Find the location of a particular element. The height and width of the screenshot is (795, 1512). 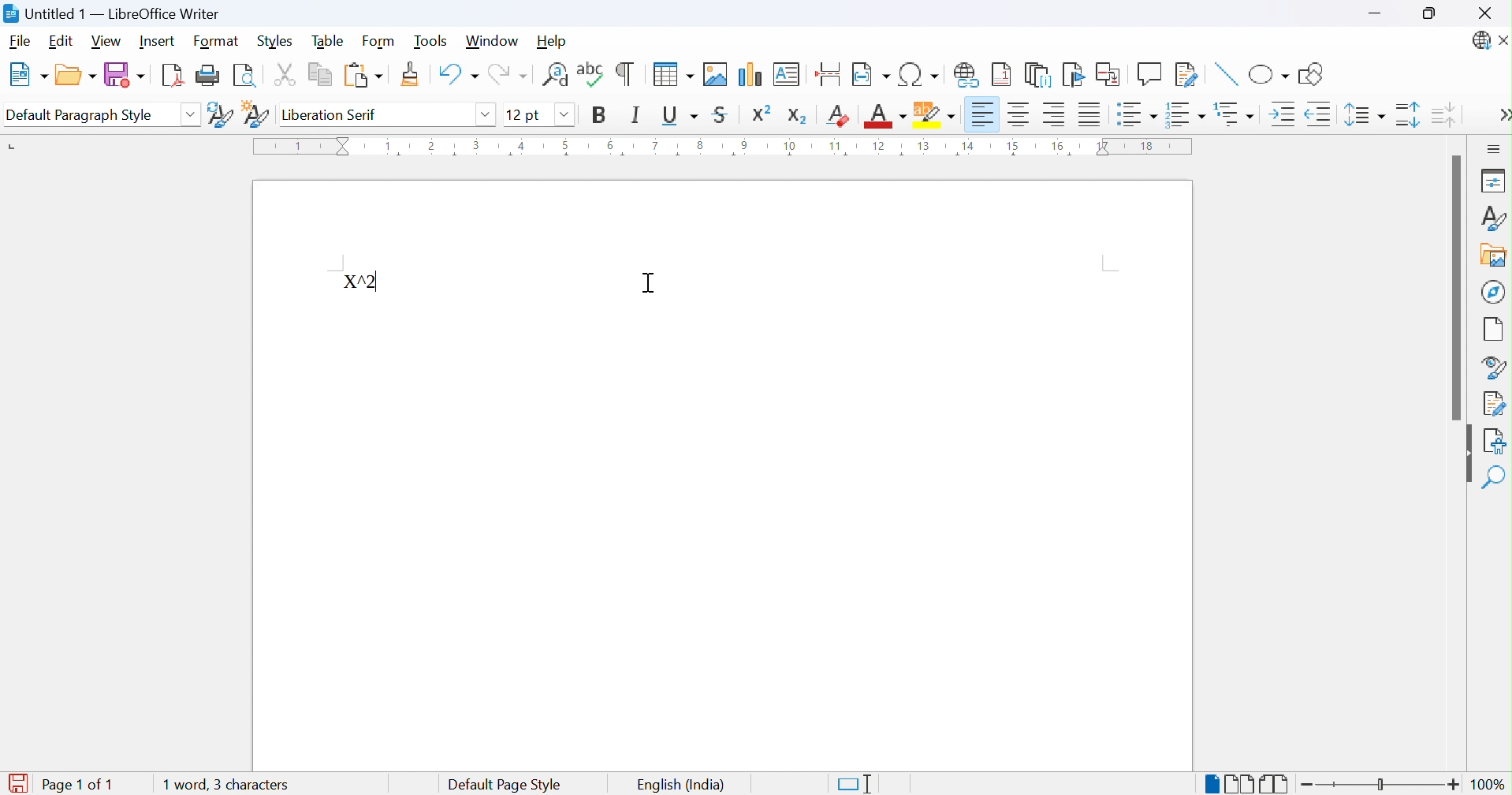

Insert text box is located at coordinates (788, 74).